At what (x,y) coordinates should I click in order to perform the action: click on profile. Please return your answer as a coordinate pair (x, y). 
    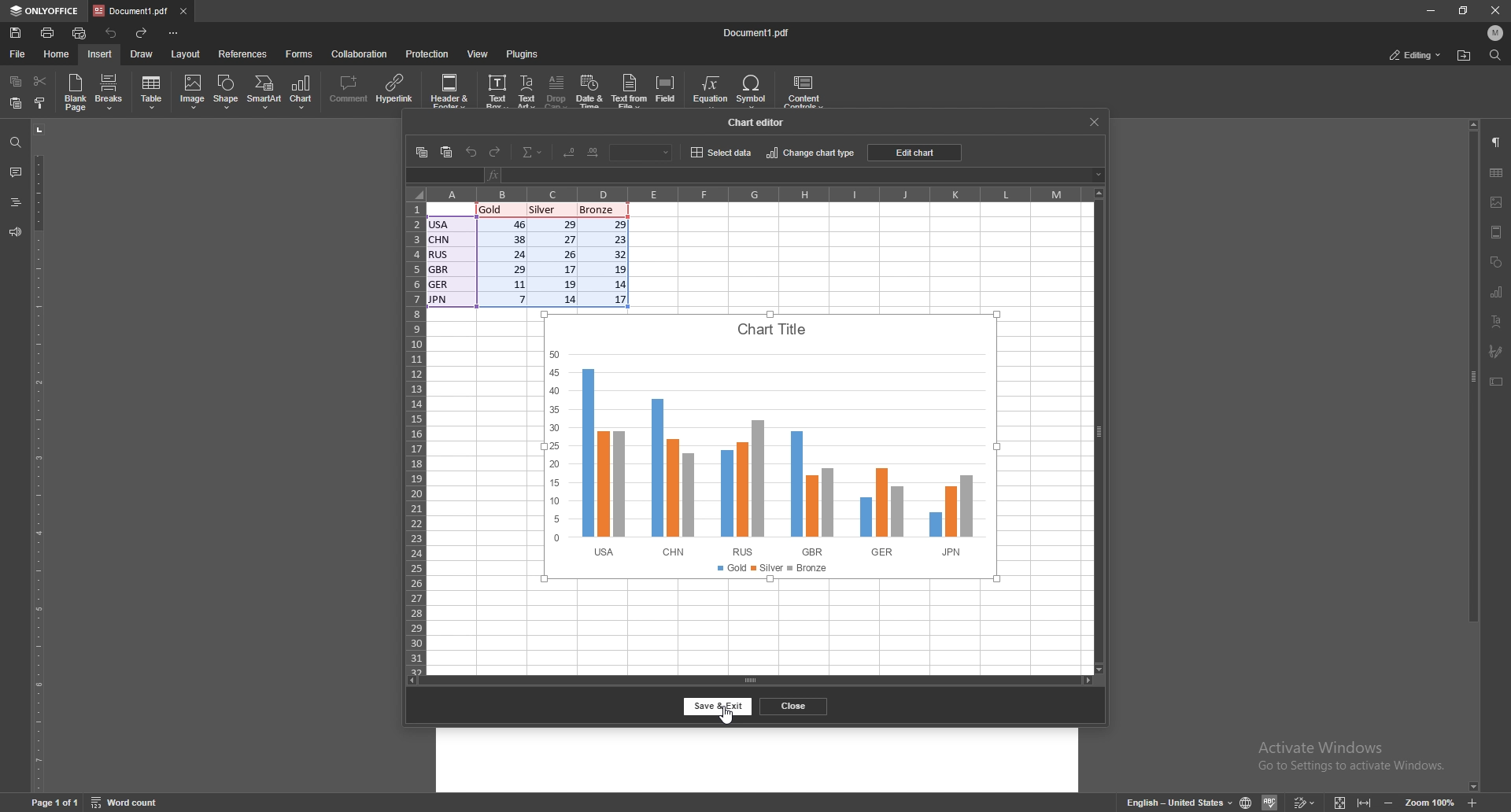
    Looking at the image, I should click on (1496, 32).